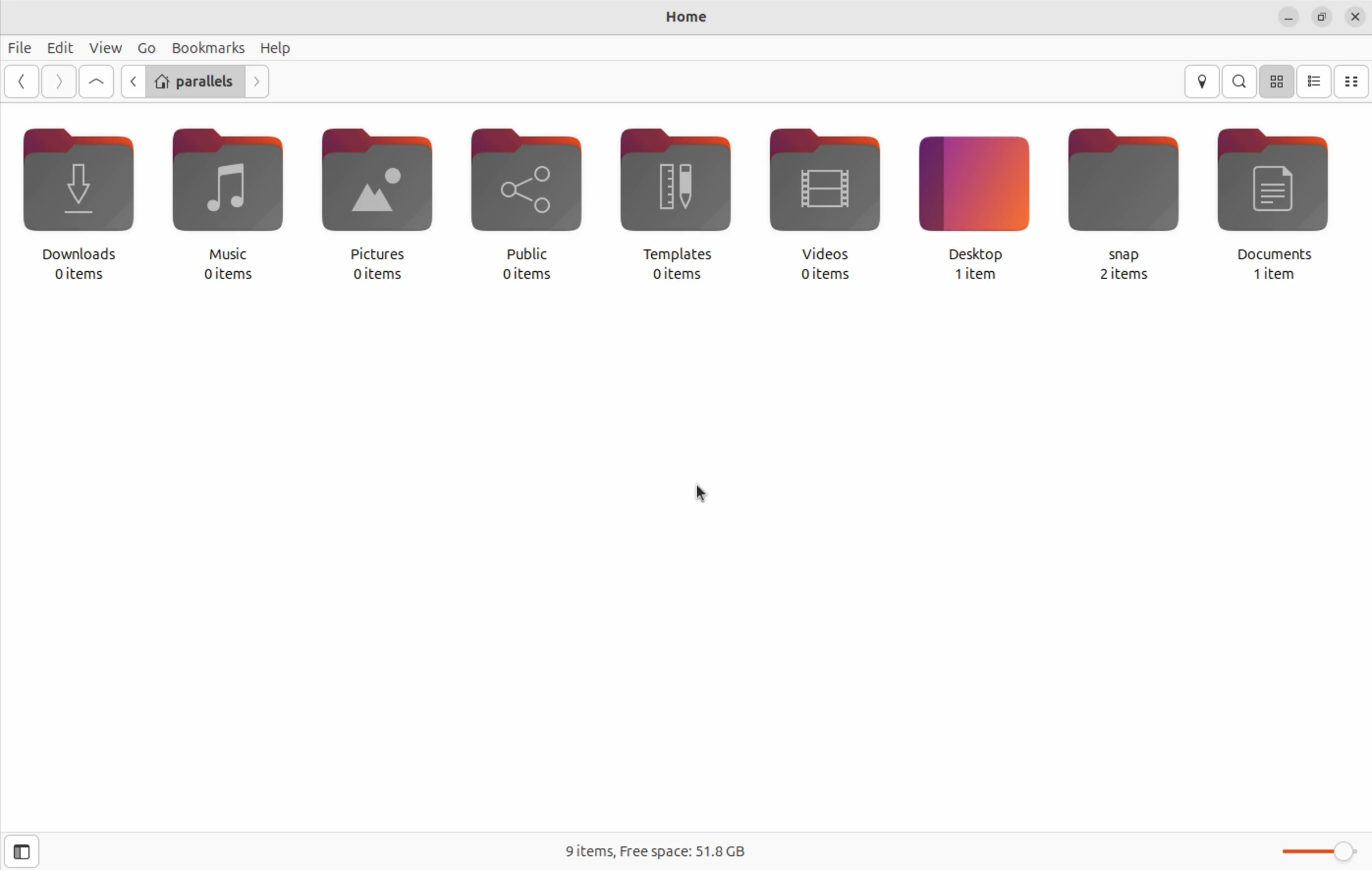 The image size is (1372, 870). I want to click on search, so click(1240, 80).